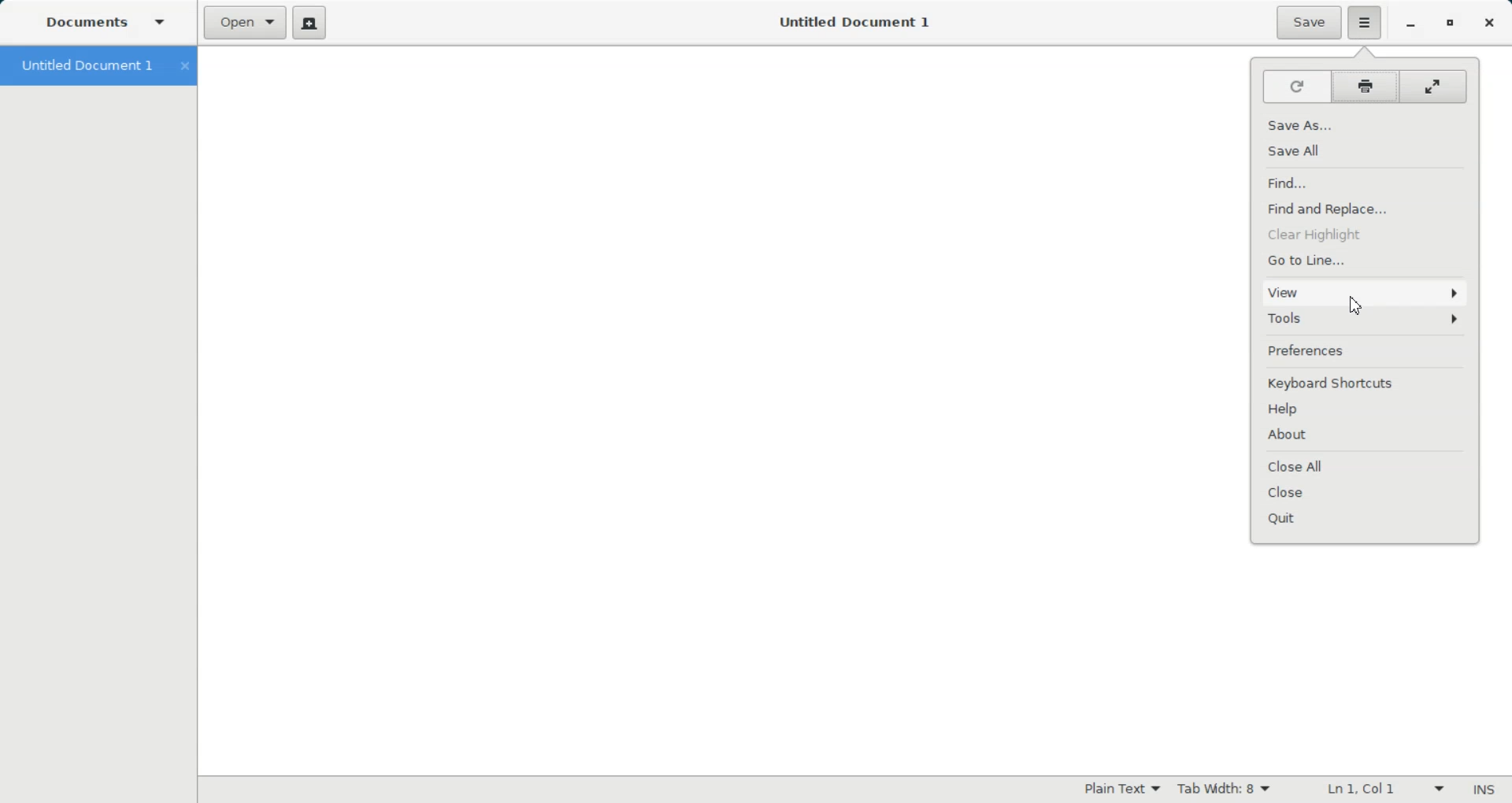  Describe the element at coordinates (1222, 789) in the screenshot. I see `Tab width ` at that location.